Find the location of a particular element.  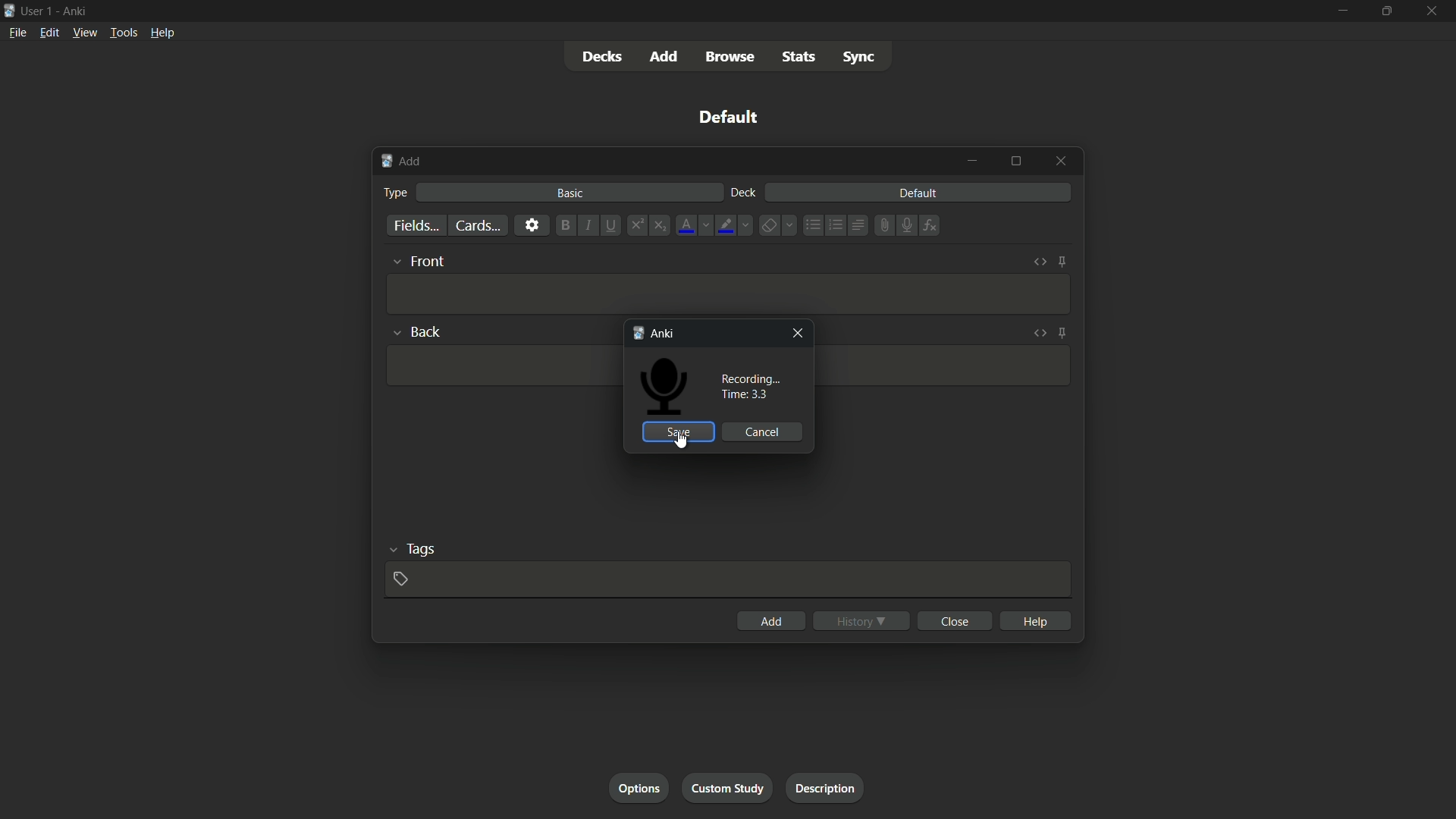

help menu is located at coordinates (162, 33).